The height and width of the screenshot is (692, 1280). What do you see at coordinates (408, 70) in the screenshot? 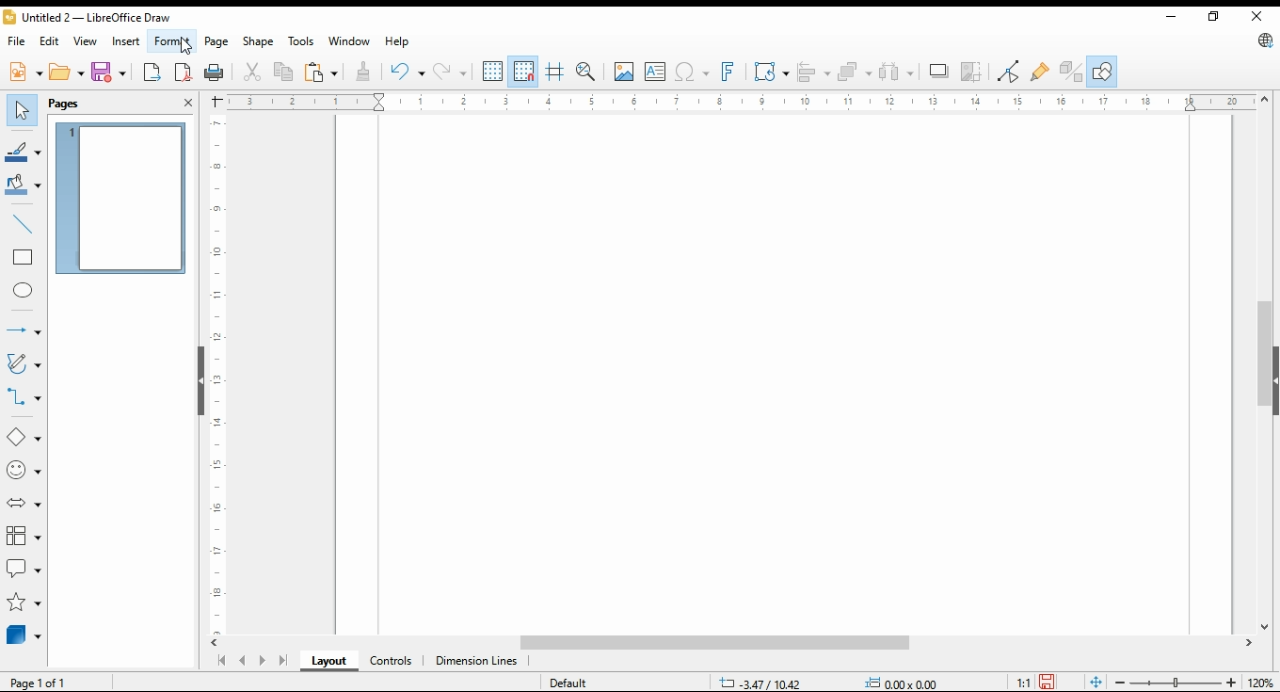
I see `undo` at bounding box center [408, 70].